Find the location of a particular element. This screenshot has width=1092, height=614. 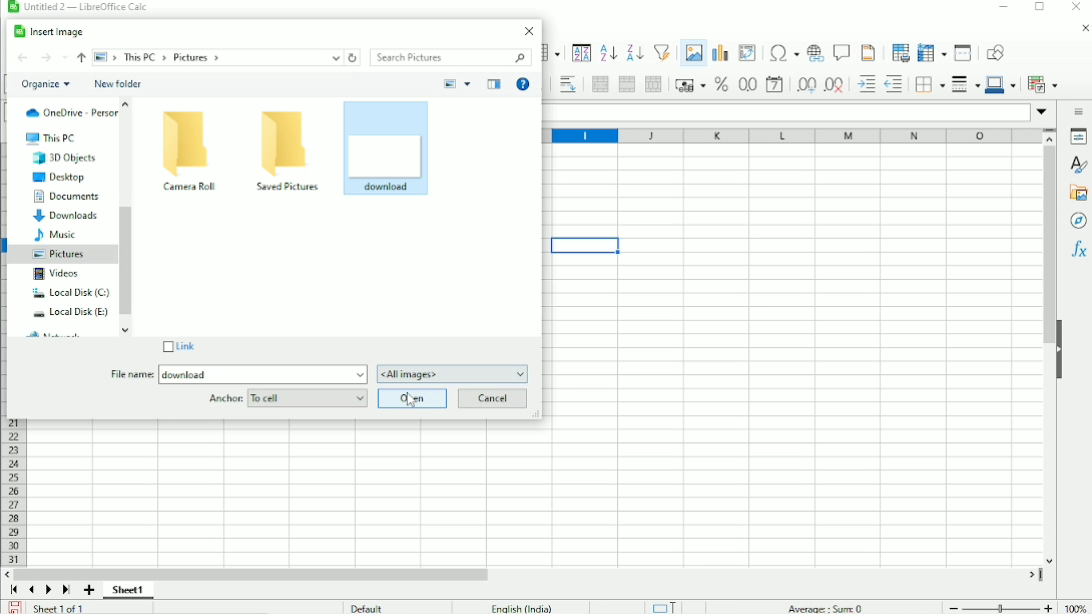

To cell is located at coordinates (307, 398).